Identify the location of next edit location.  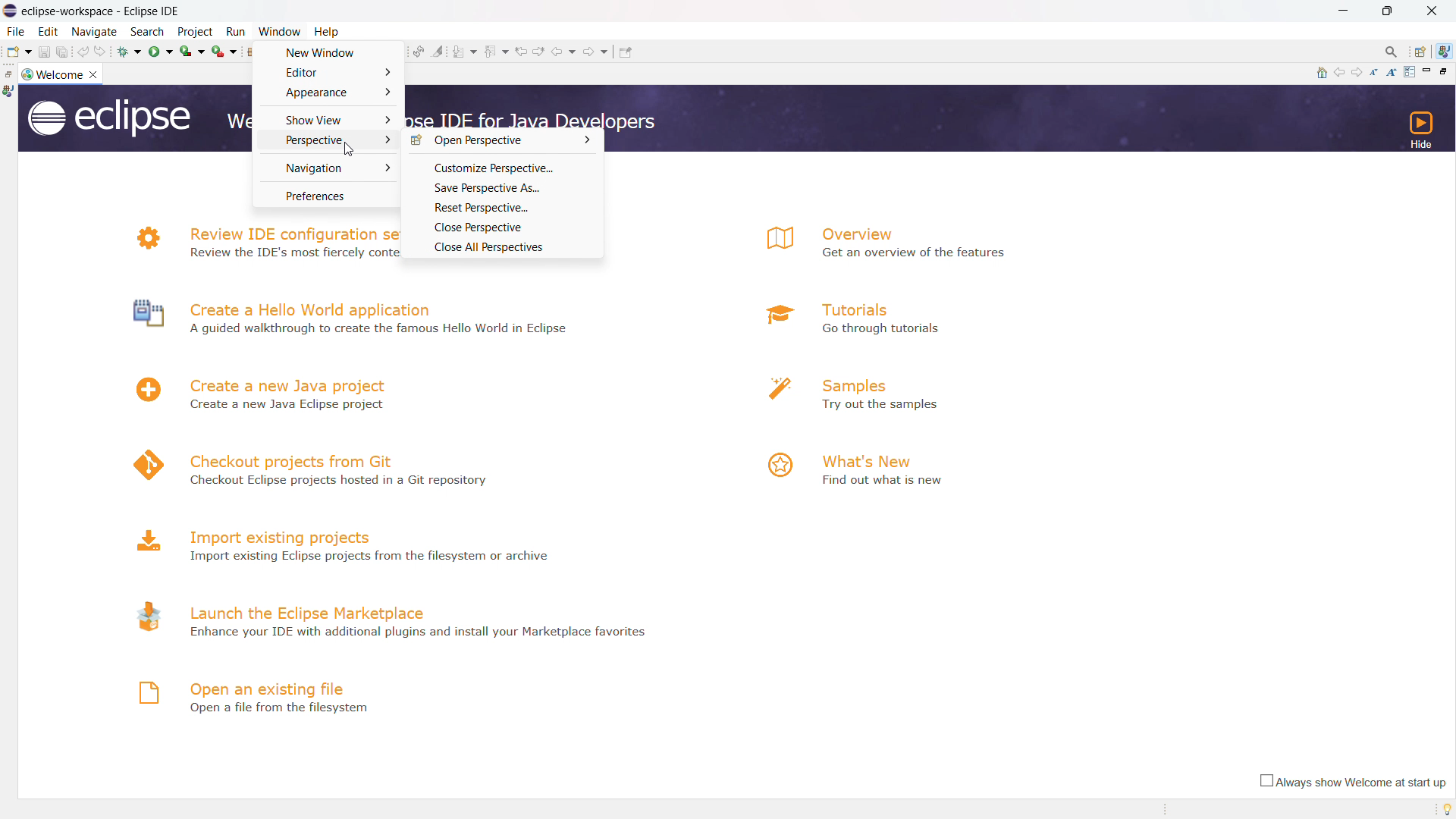
(540, 51).